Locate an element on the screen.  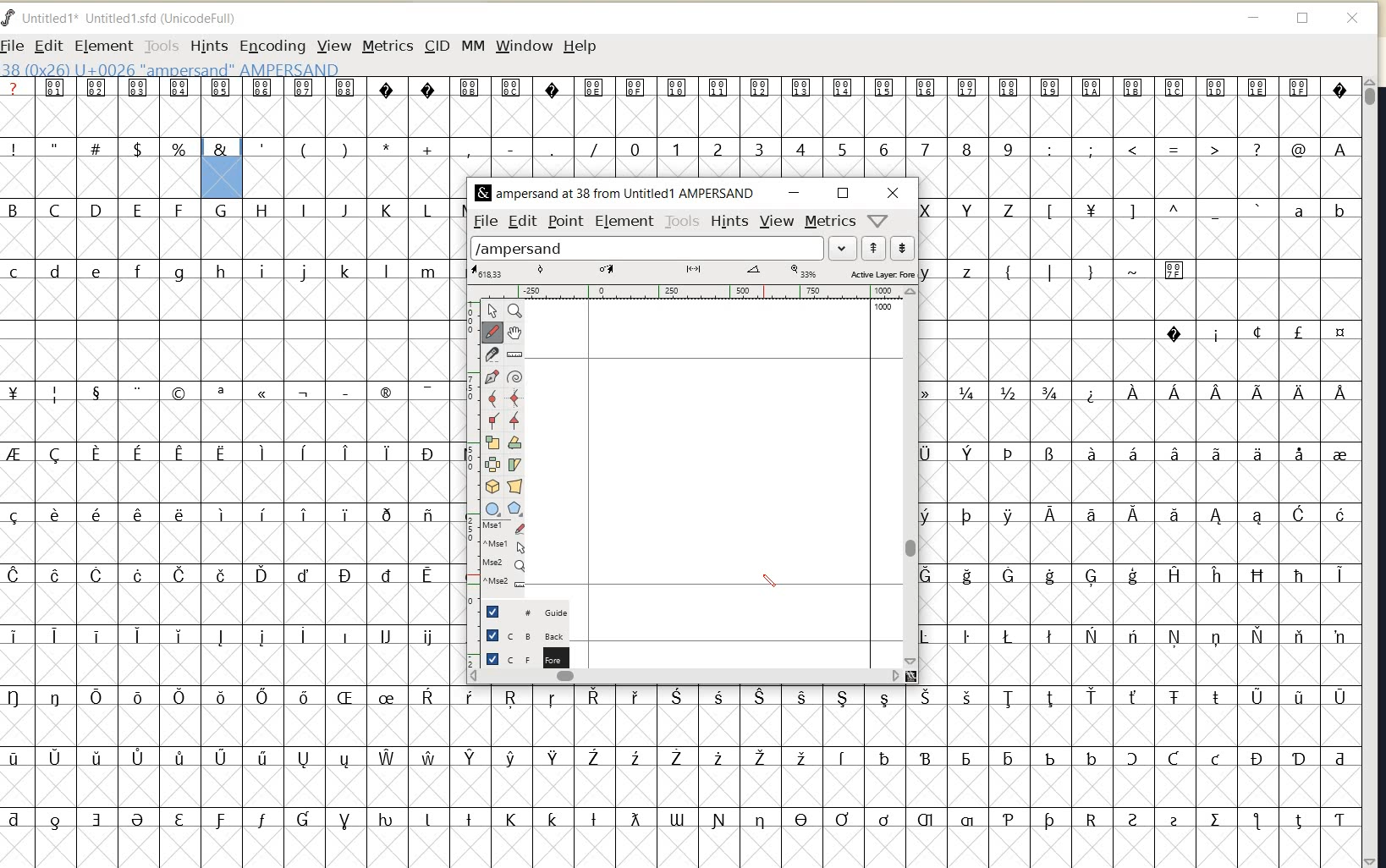
glyph selected is located at coordinates (223, 168).